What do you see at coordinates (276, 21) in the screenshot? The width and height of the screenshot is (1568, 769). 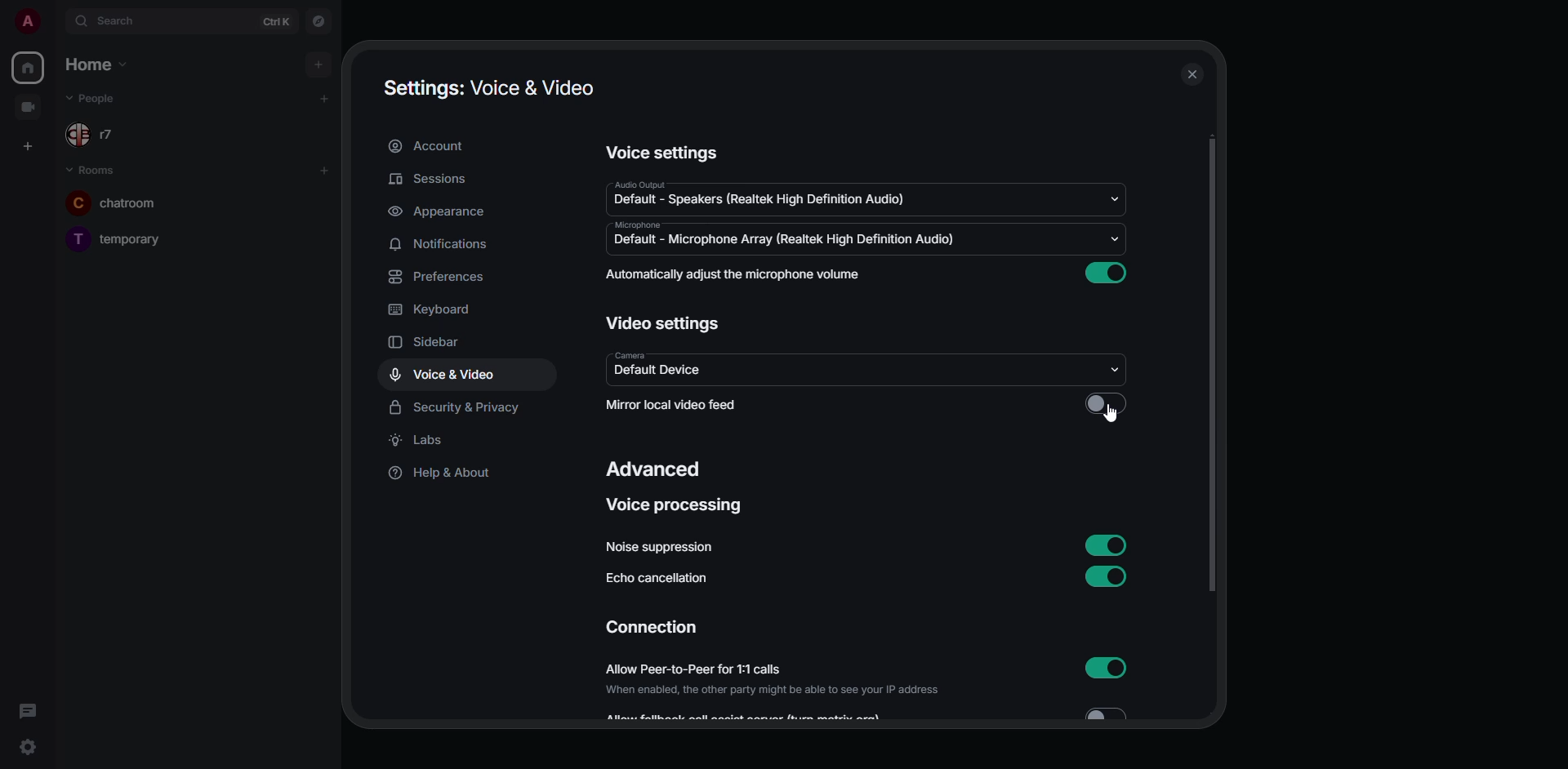 I see `ctrl K` at bounding box center [276, 21].